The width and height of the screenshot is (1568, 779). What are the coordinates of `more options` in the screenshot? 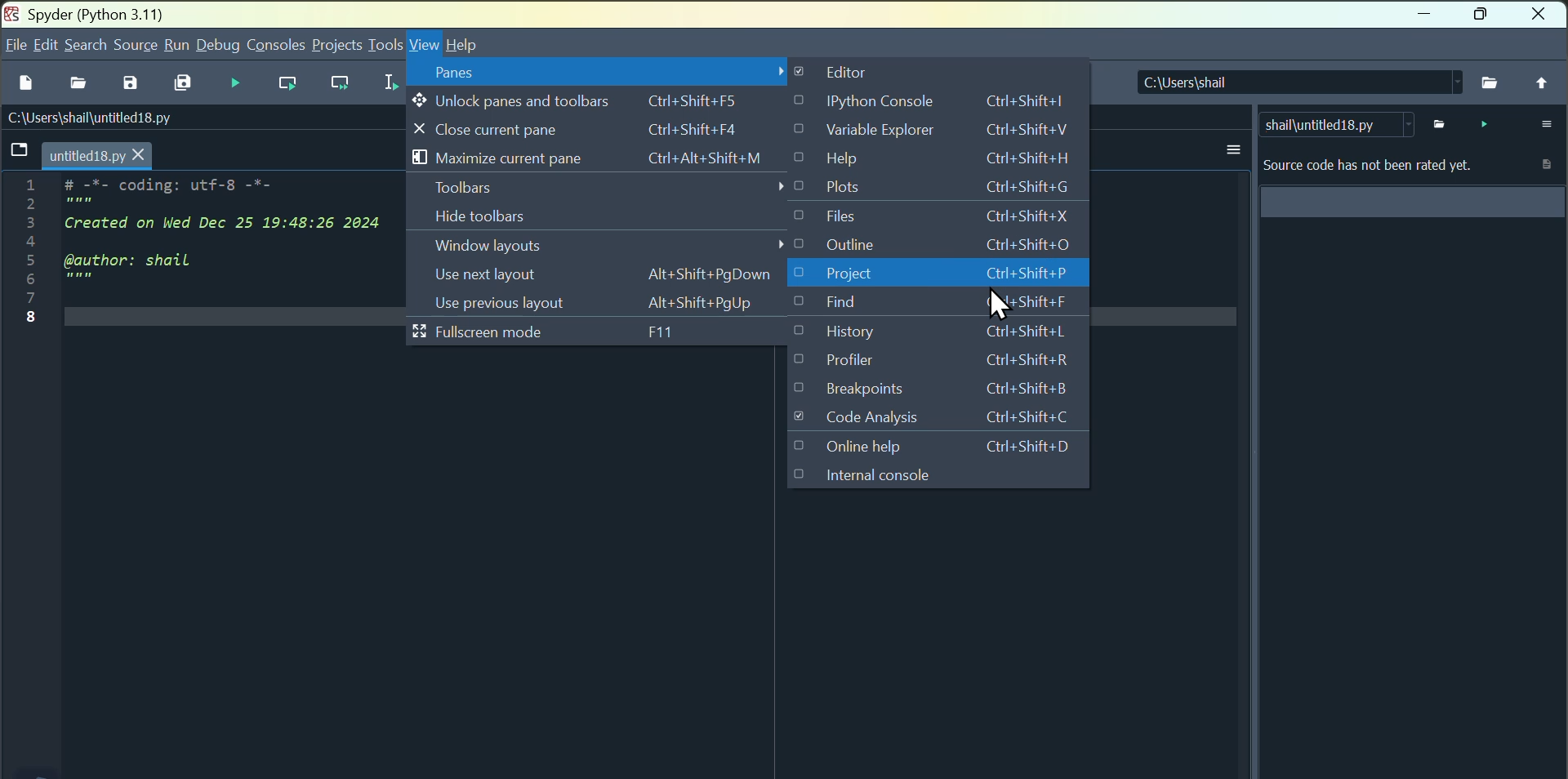 It's located at (1540, 123).